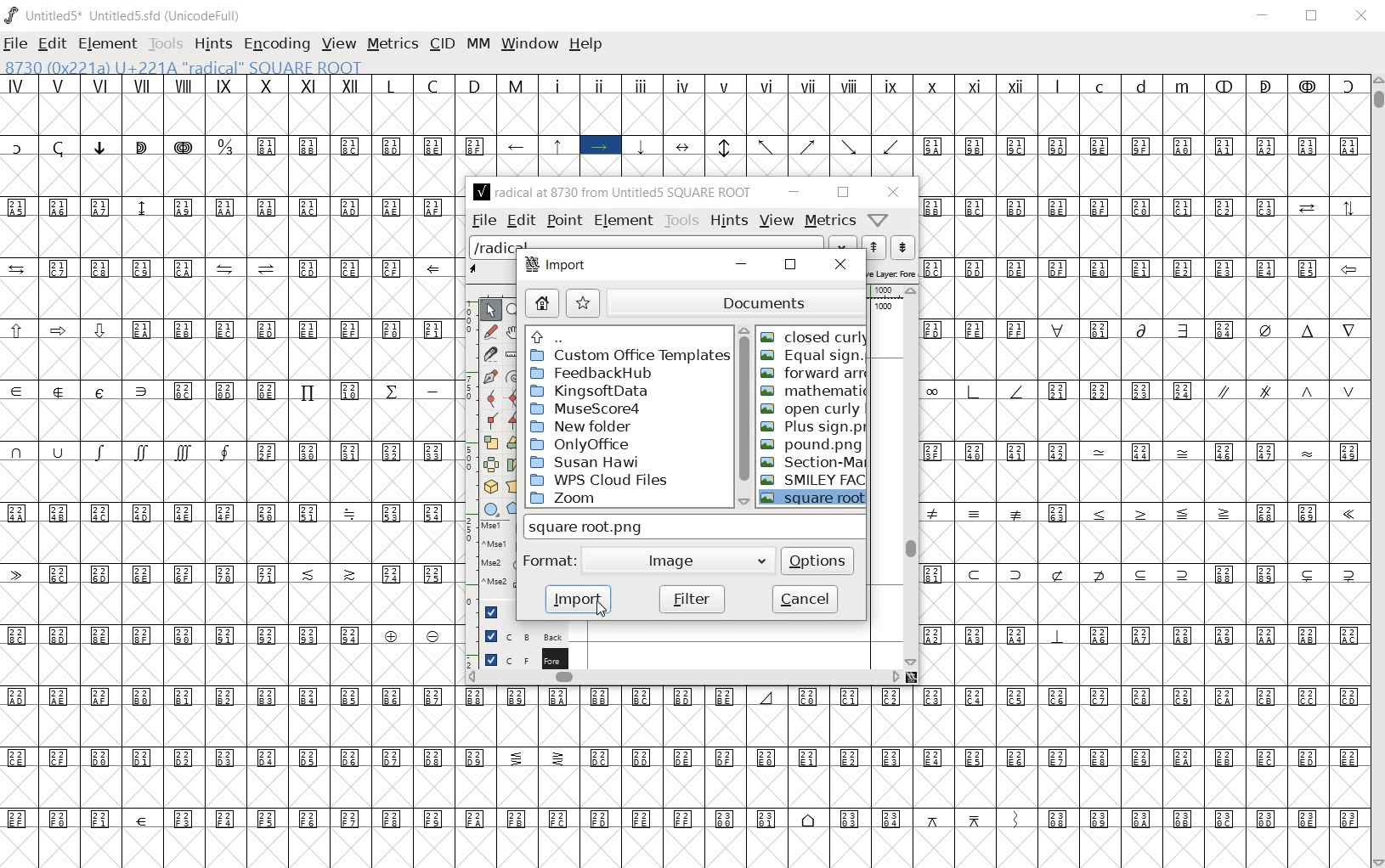  Describe the element at coordinates (811, 498) in the screenshot. I see `square root` at that location.